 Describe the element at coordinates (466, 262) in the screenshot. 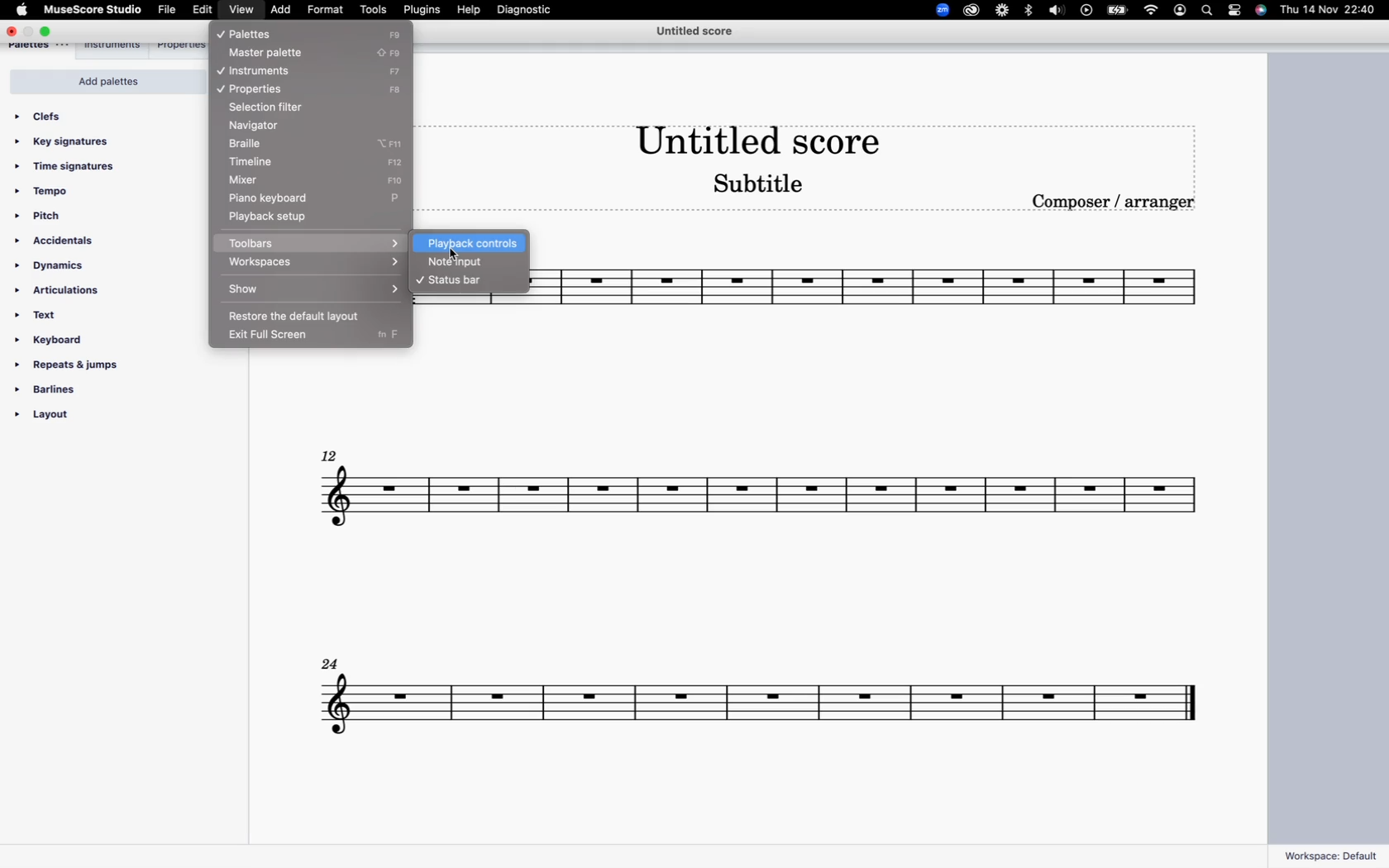

I see `note input` at that location.